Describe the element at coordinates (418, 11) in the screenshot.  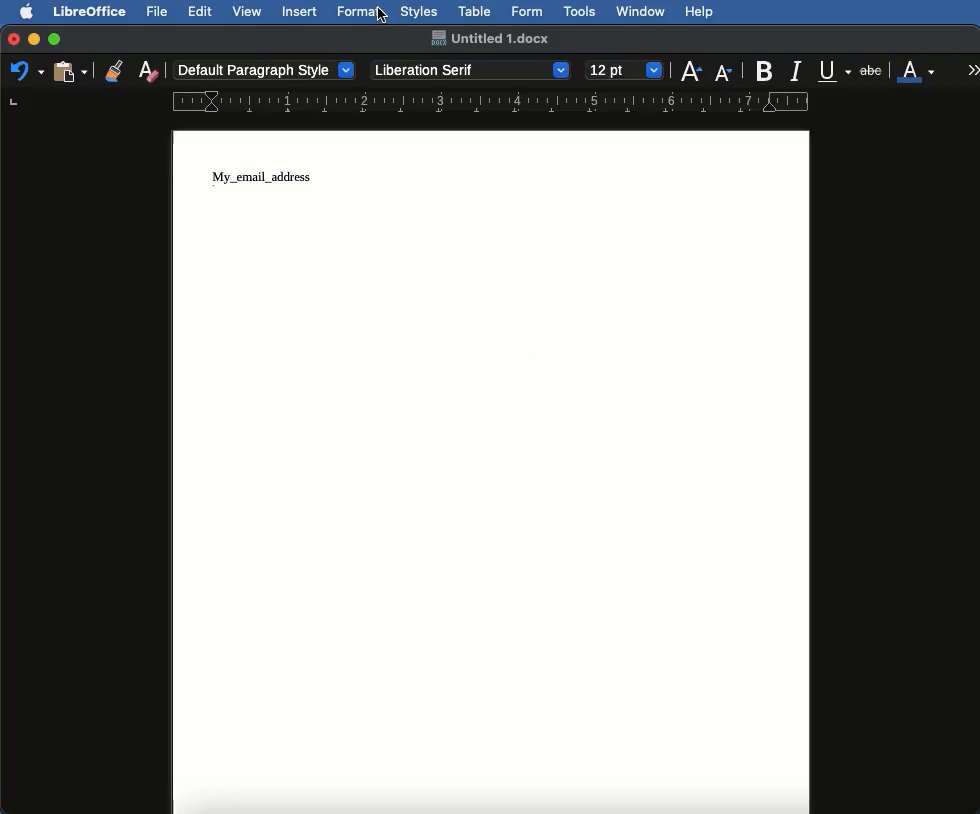
I see `Styles` at that location.